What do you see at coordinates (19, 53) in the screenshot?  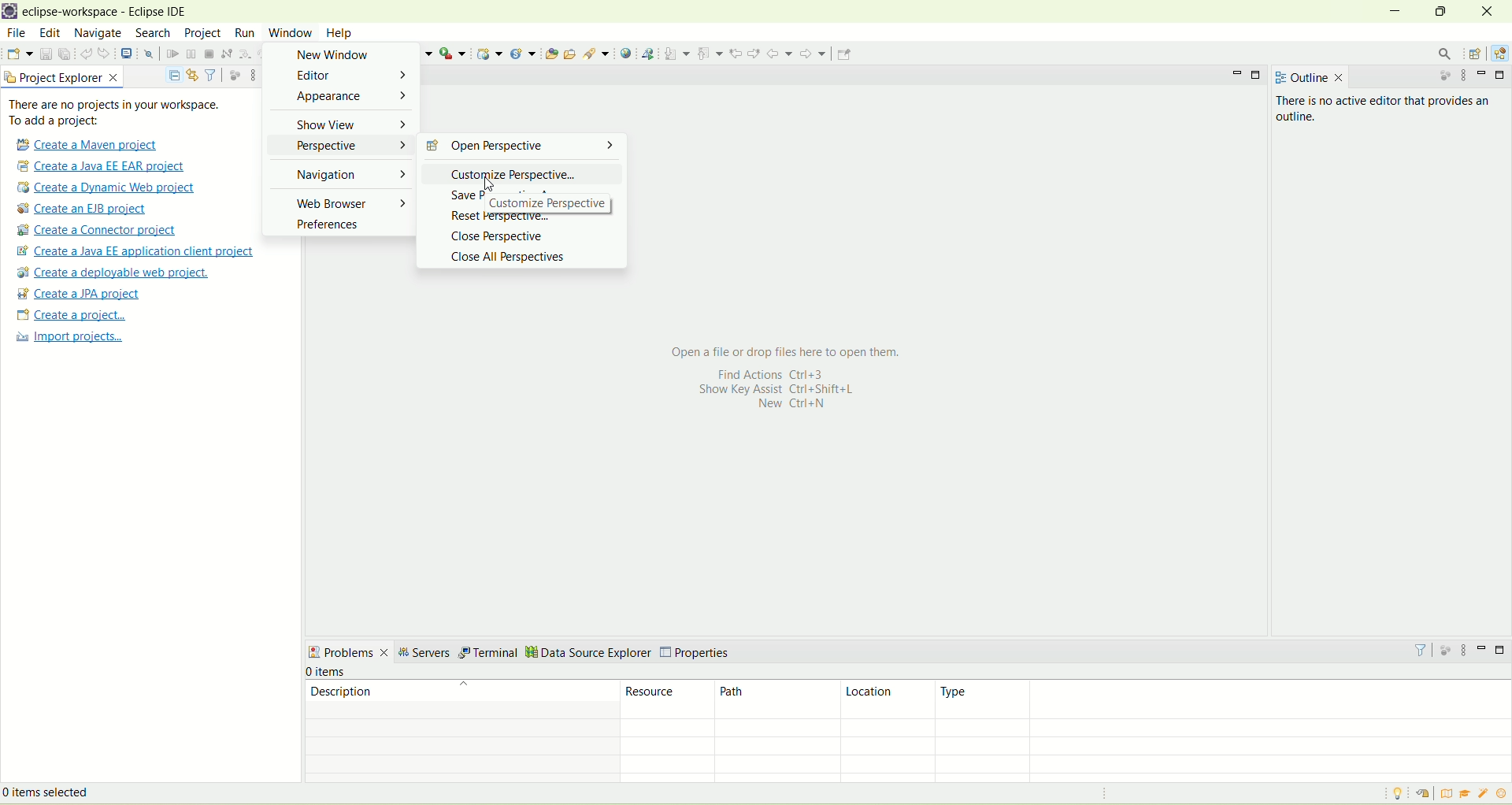 I see `new` at bounding box center [19, 53].